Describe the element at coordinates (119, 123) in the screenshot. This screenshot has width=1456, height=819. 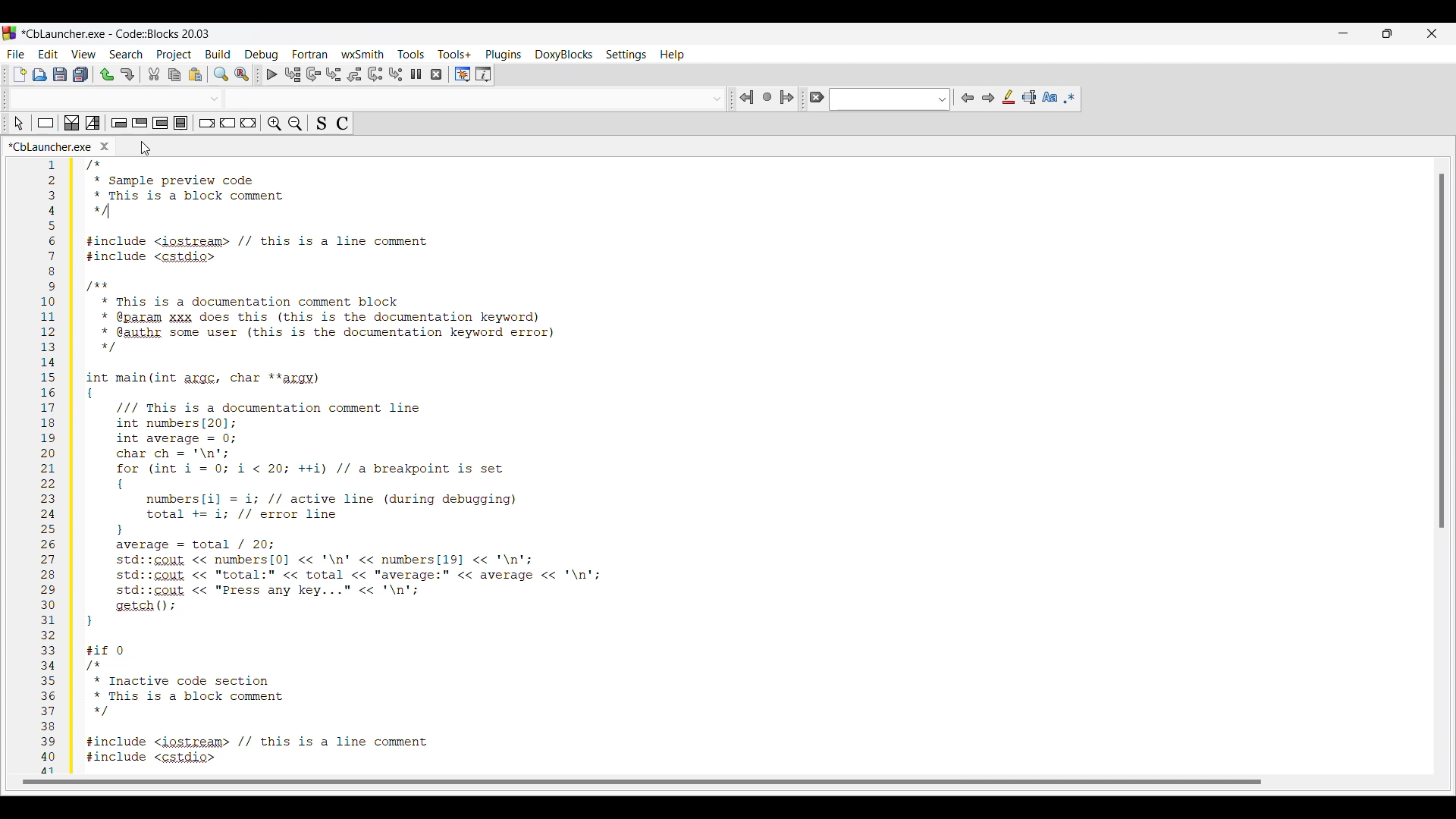
I see `Entry-condition loop` at that location.